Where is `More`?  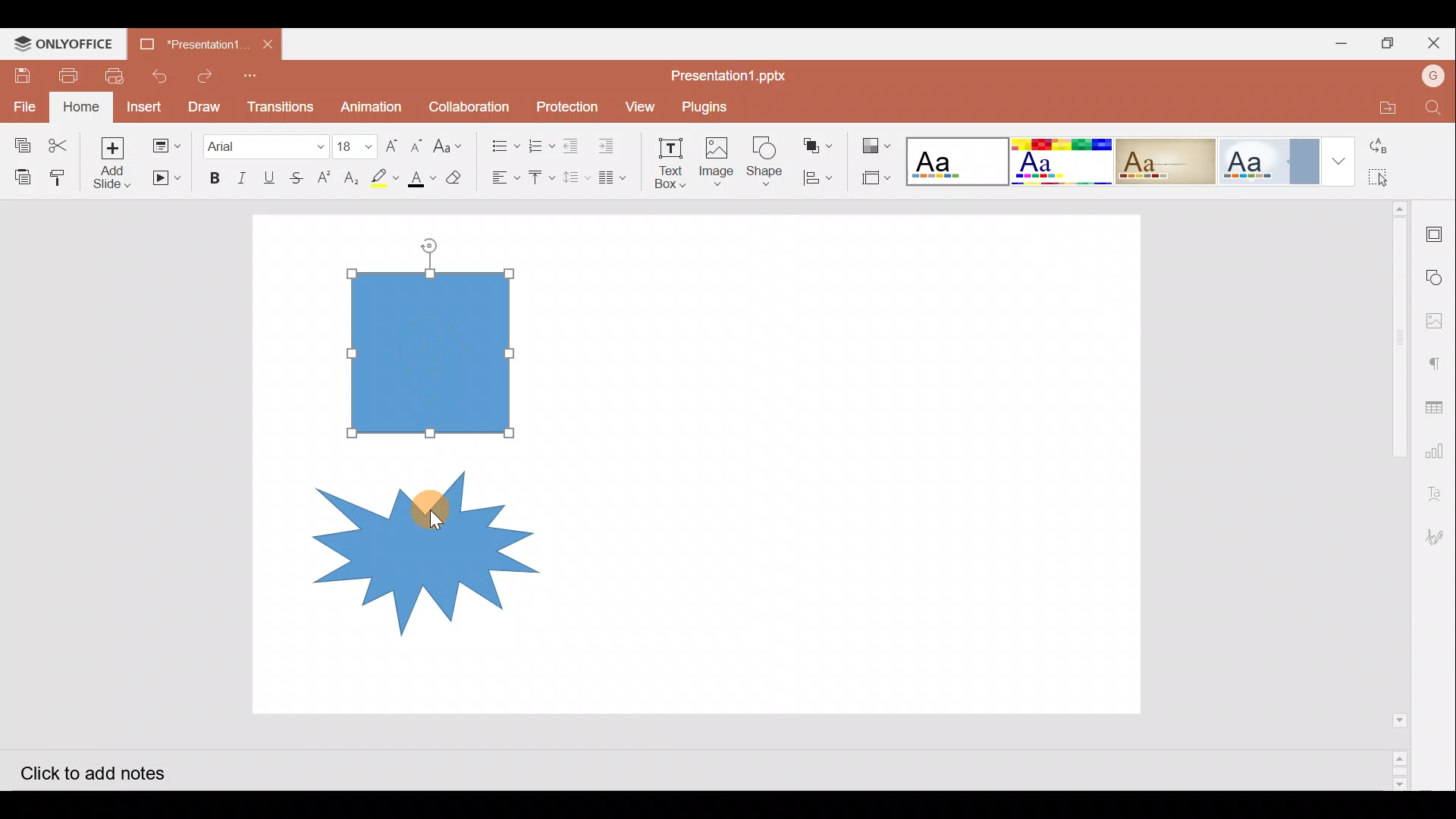 More is located at coordinates (1339, 160).